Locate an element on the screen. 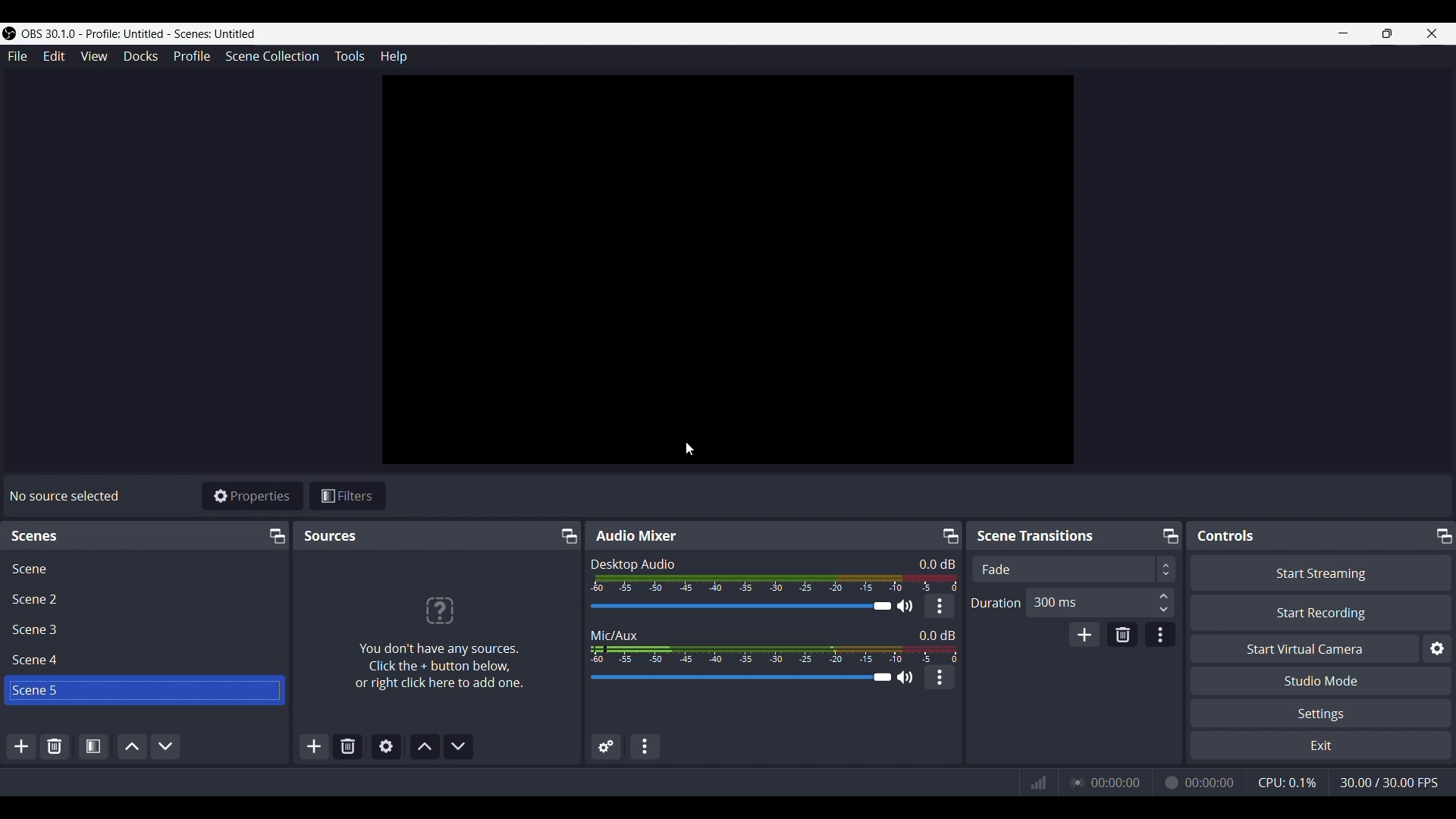 Image resolution: width=1456 pixels, height=819 pixels. Scene Transition is located at coordinates (1045, 535).